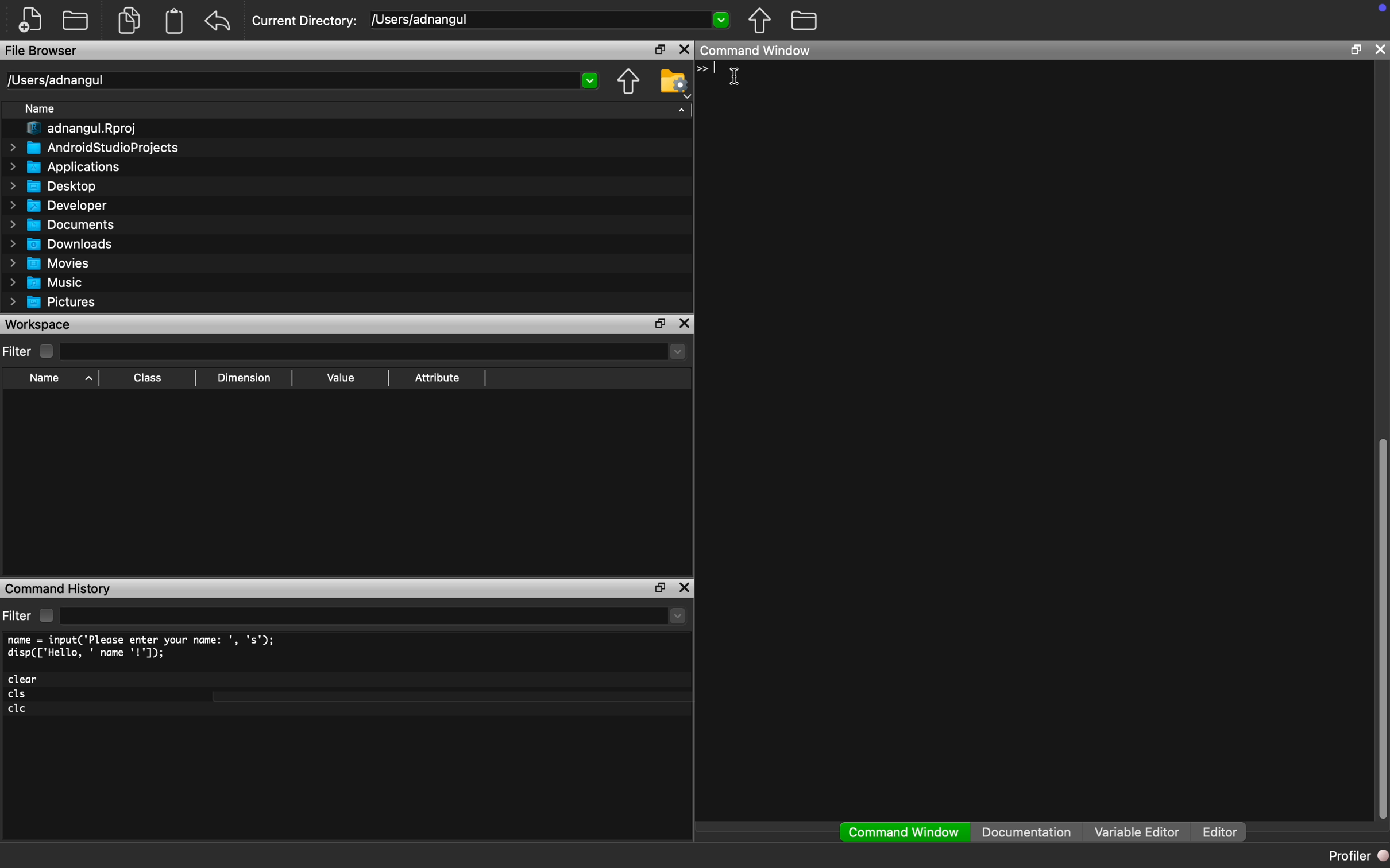  Describe the element at coordinates (720, 18) in the screenshot. I see `dropdown` at that location.